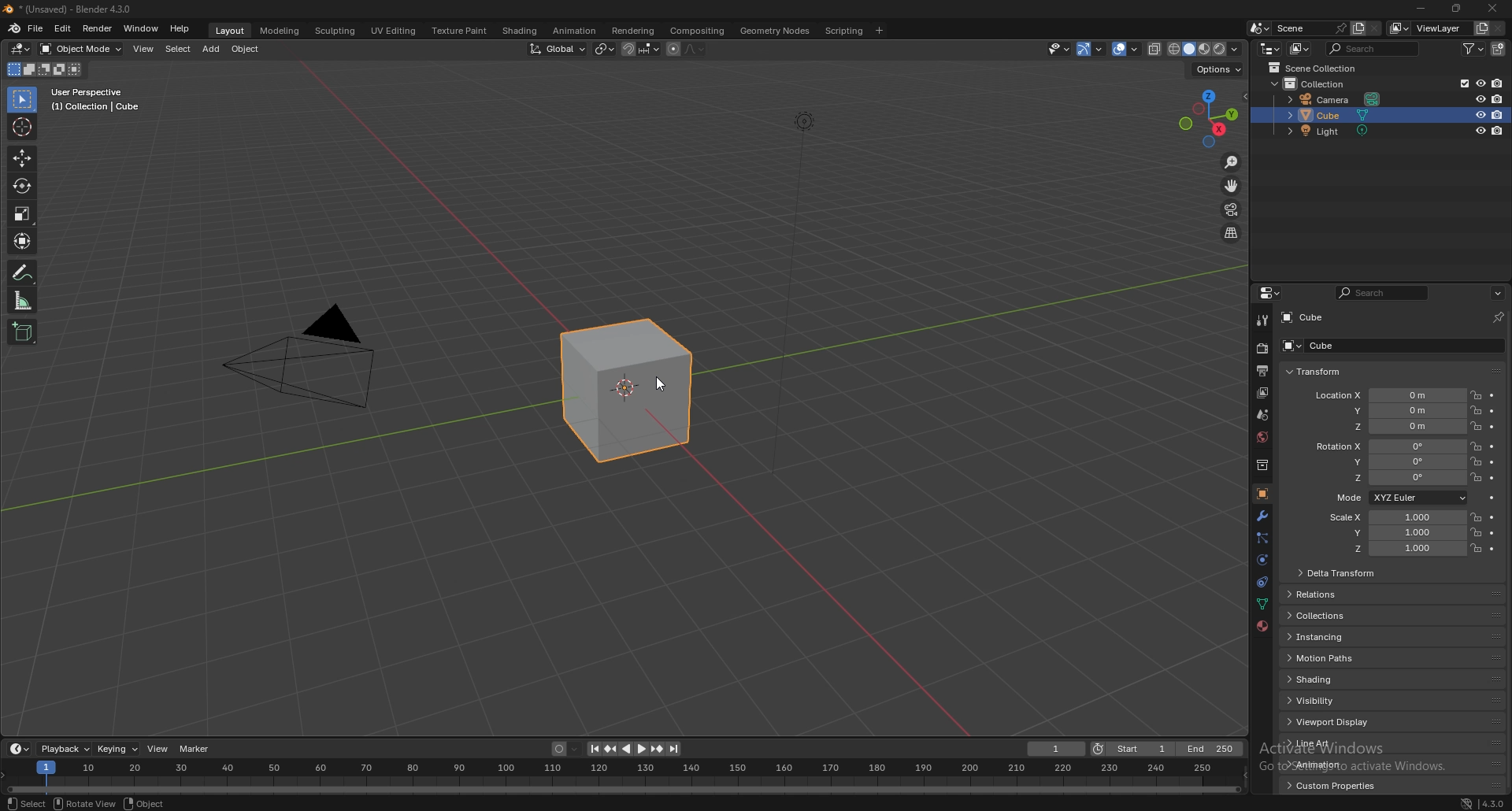  Describe the element at coordinates (1394, 533) in the screenshot. I see `scale y` at that location.